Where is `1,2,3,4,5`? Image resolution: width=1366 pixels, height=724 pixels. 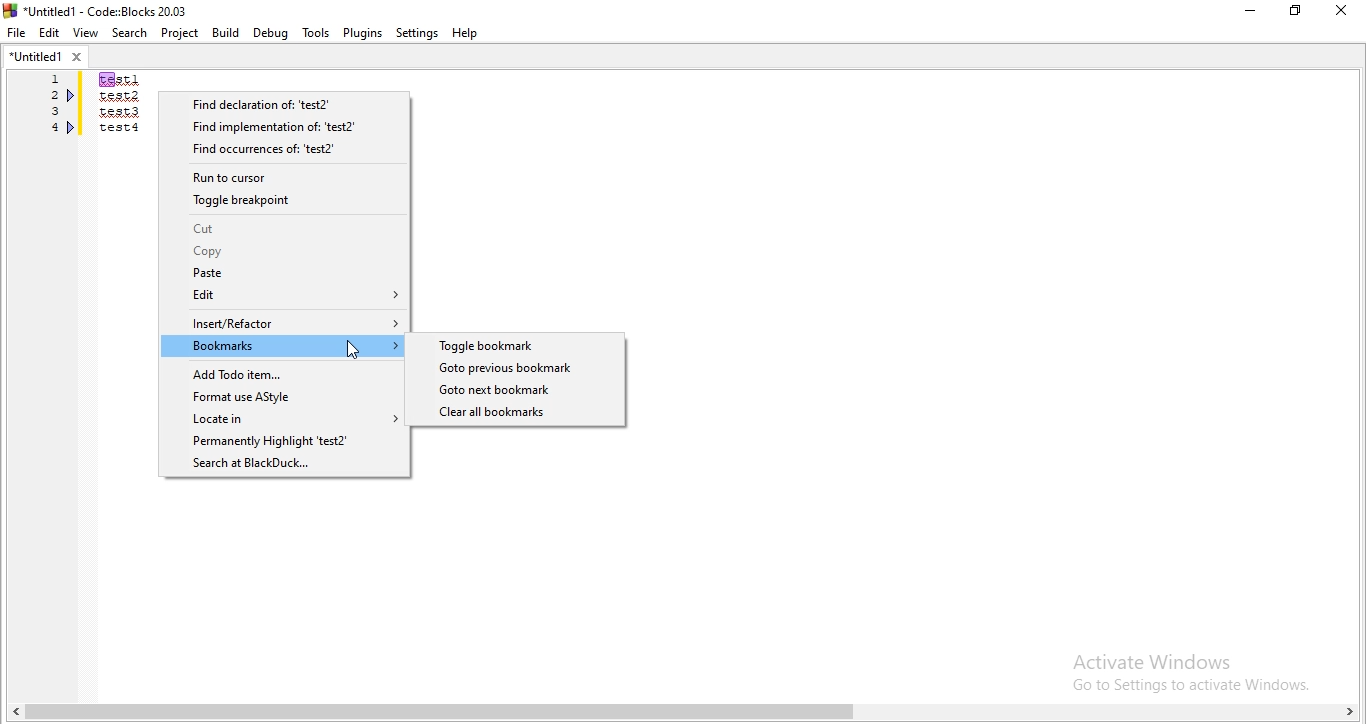 1,2,3,4,5 is located at coordinates (49, 118).